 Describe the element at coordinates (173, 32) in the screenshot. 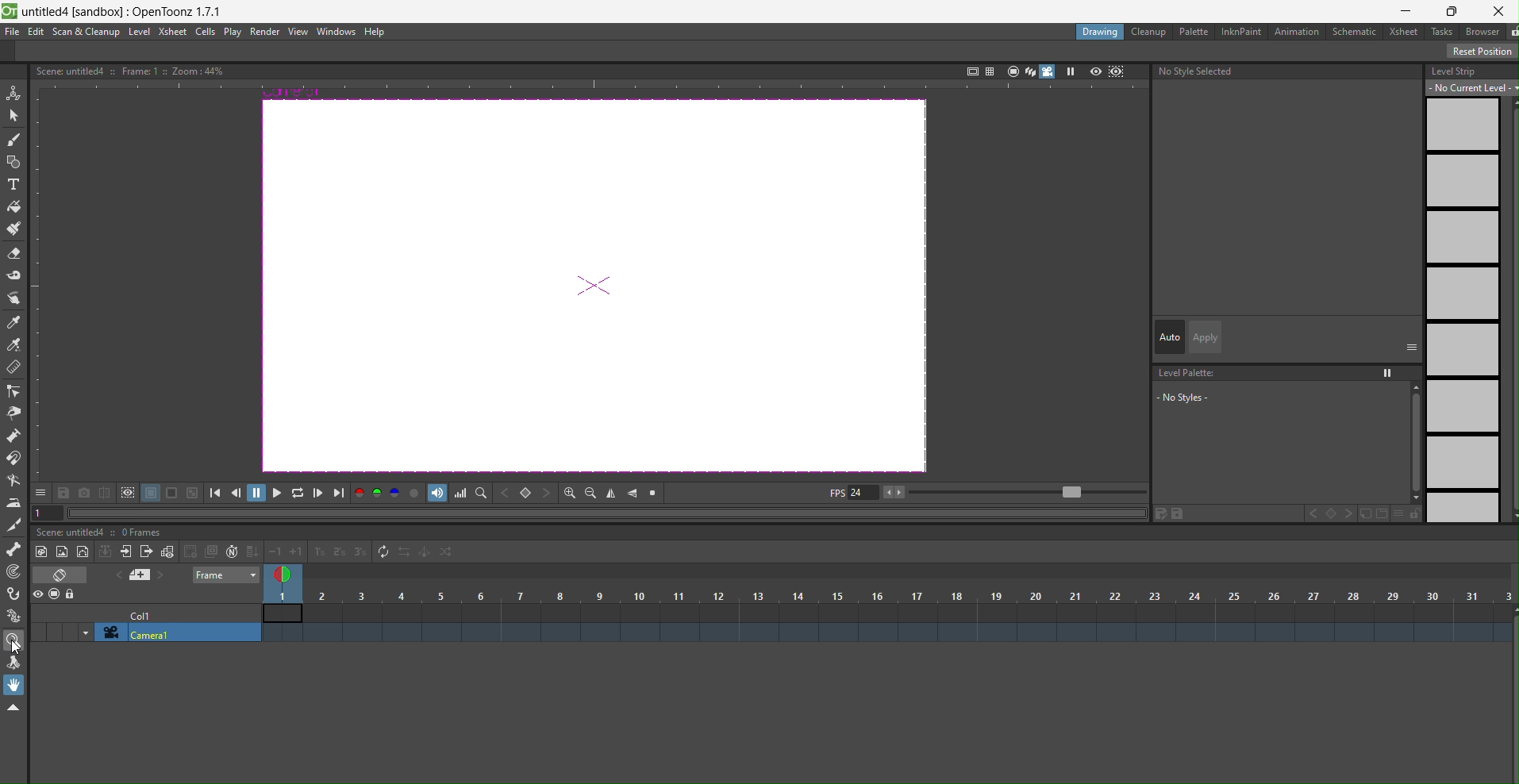

I see `xsheet` at that location.